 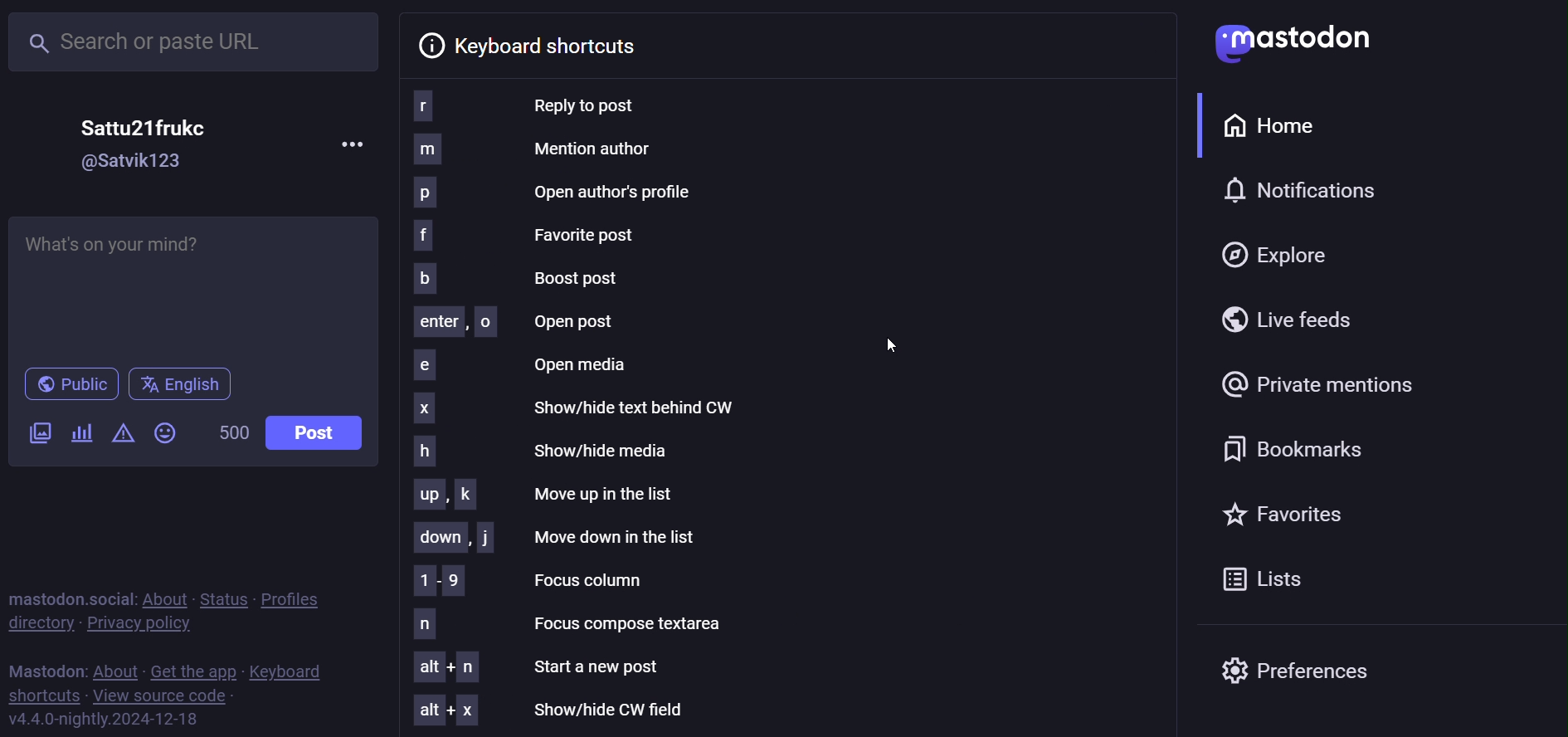 I want to click on start a new post, so click(x=543, y=667).